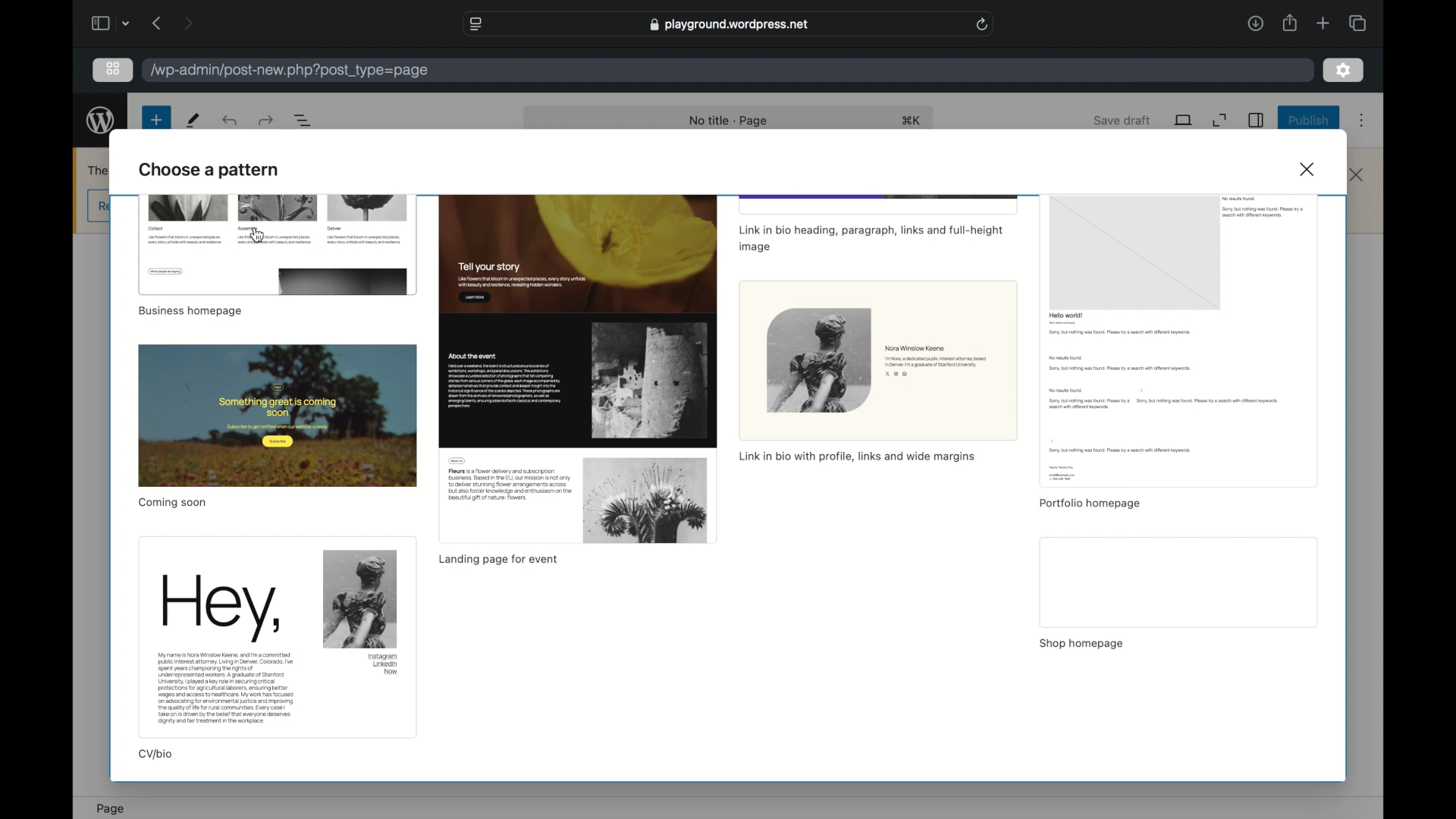 The image size is (1456, 819). Describe the element at coordinates (1083, 644) in the screenshot. I see `shop homepage` at that location.